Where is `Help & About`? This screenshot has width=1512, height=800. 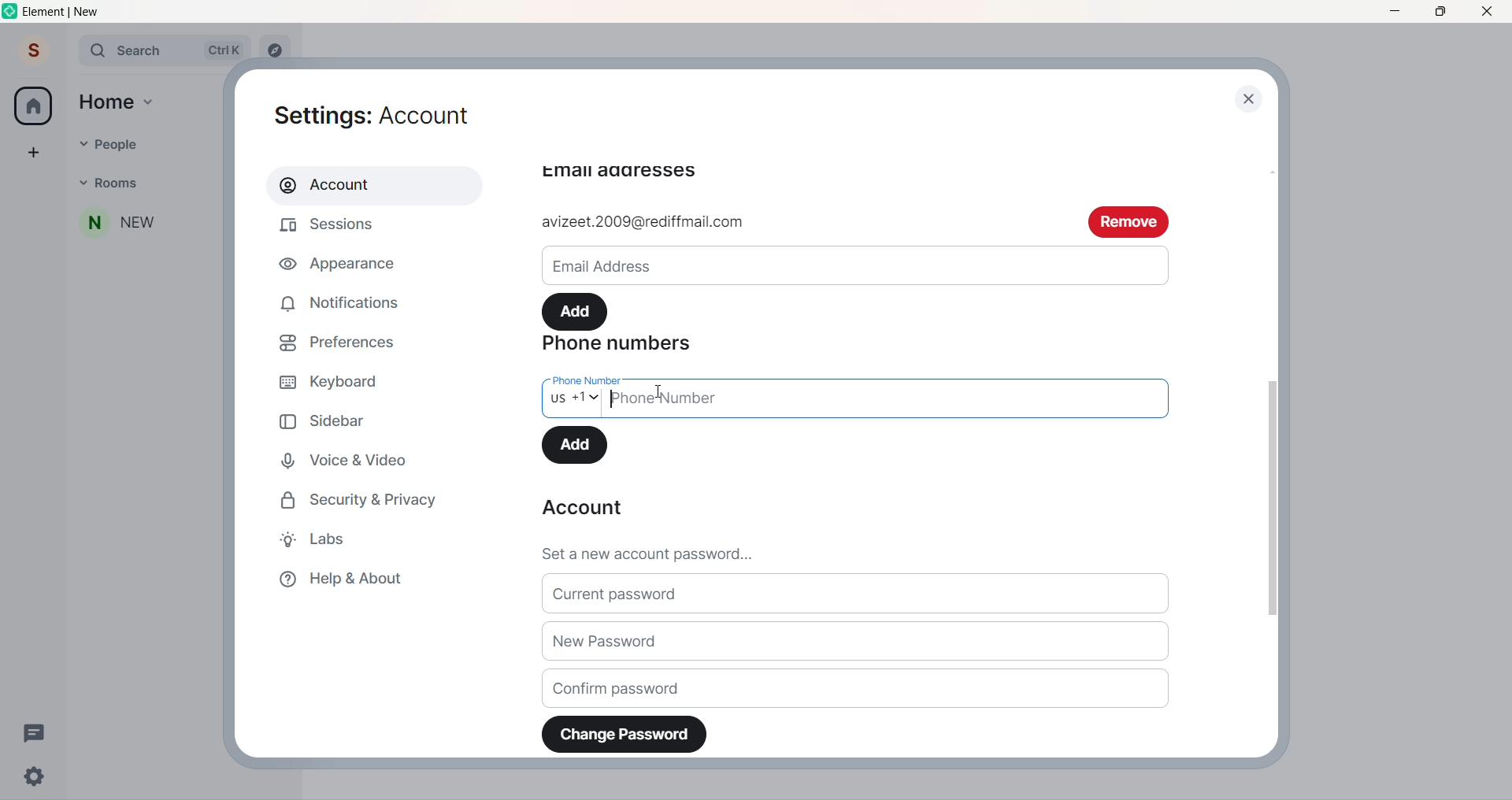 Help & About is located at coordinates (354, 579).